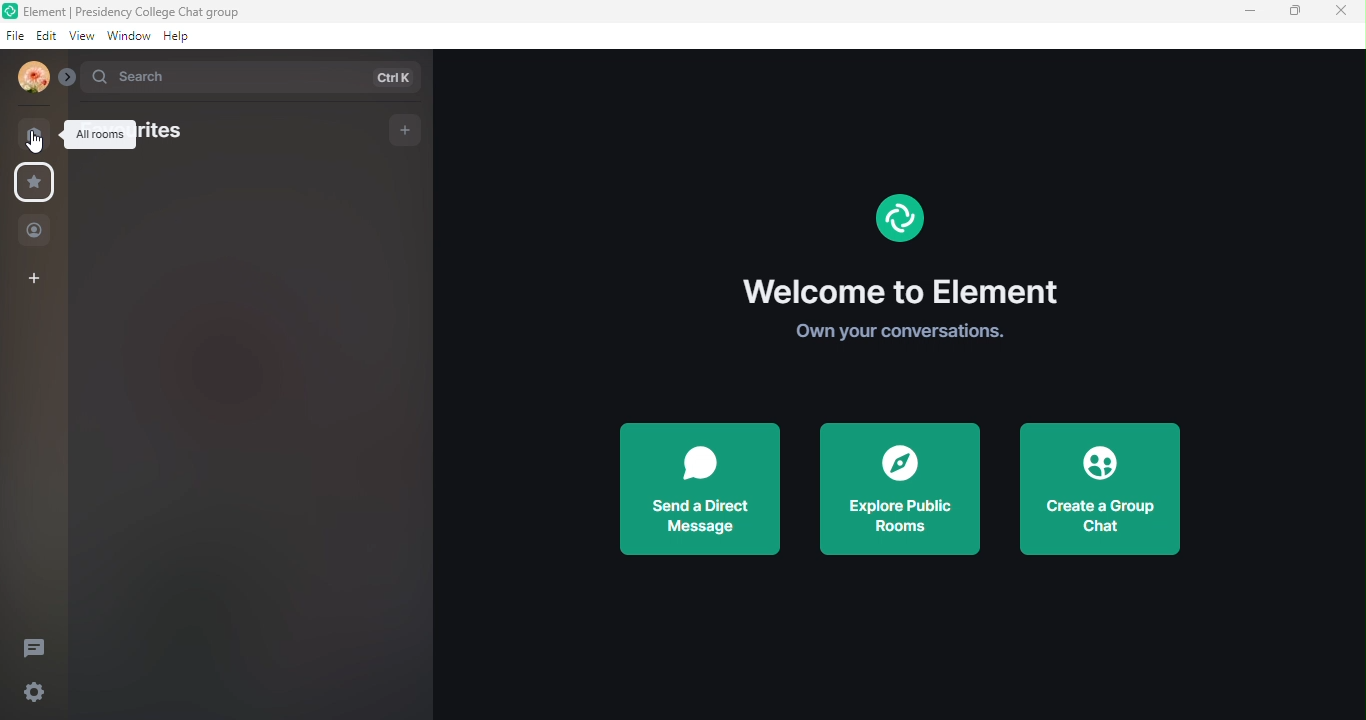 The height and width of the screenshot is (720, 1366). What do you see at coordinates (13, 38) in the screenshot?
I see `file` at bounding box center [13, 38].